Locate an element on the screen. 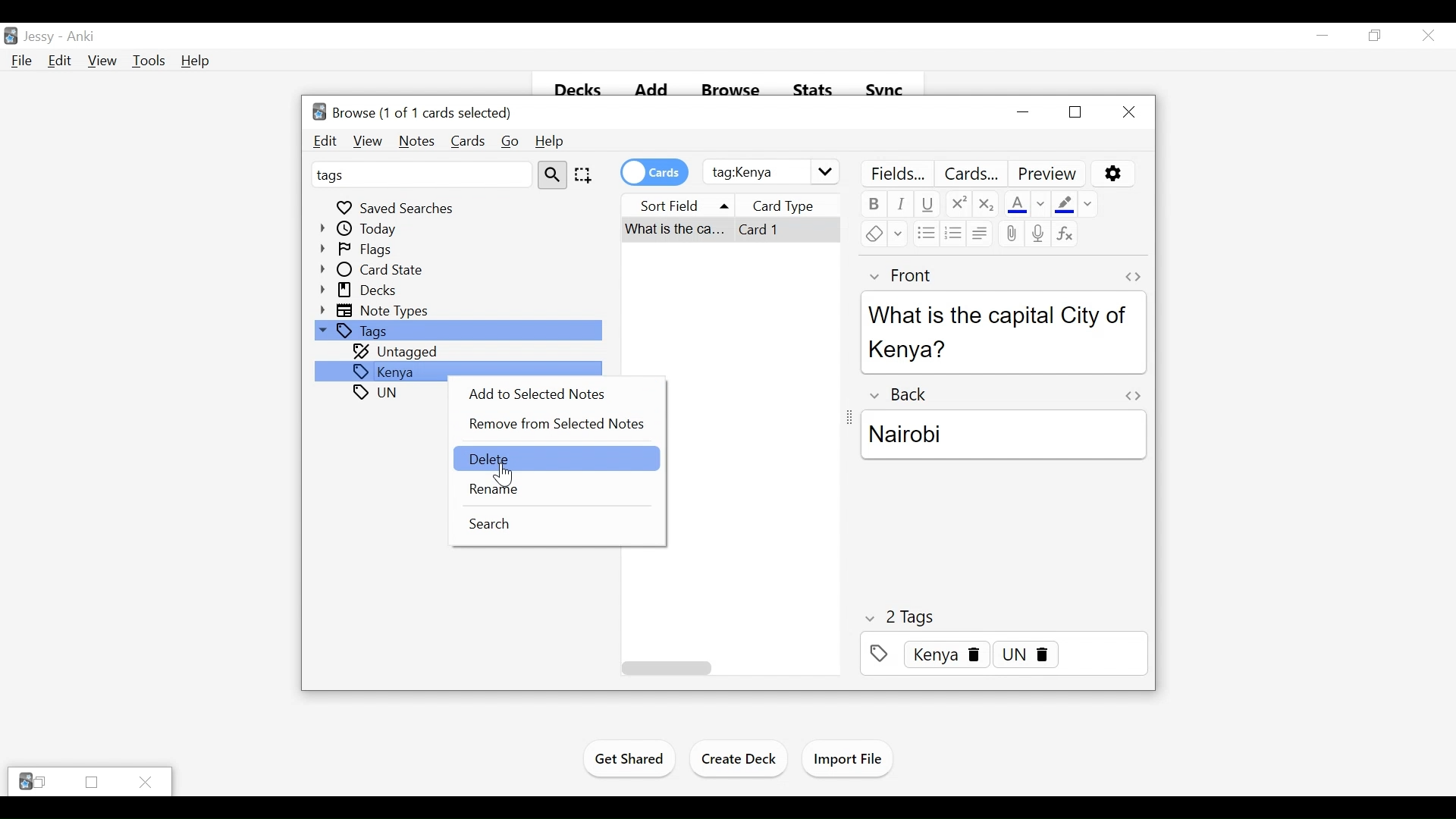 This screenshot has width=1456, height=819. Edit is located at coordinates (58, 61).